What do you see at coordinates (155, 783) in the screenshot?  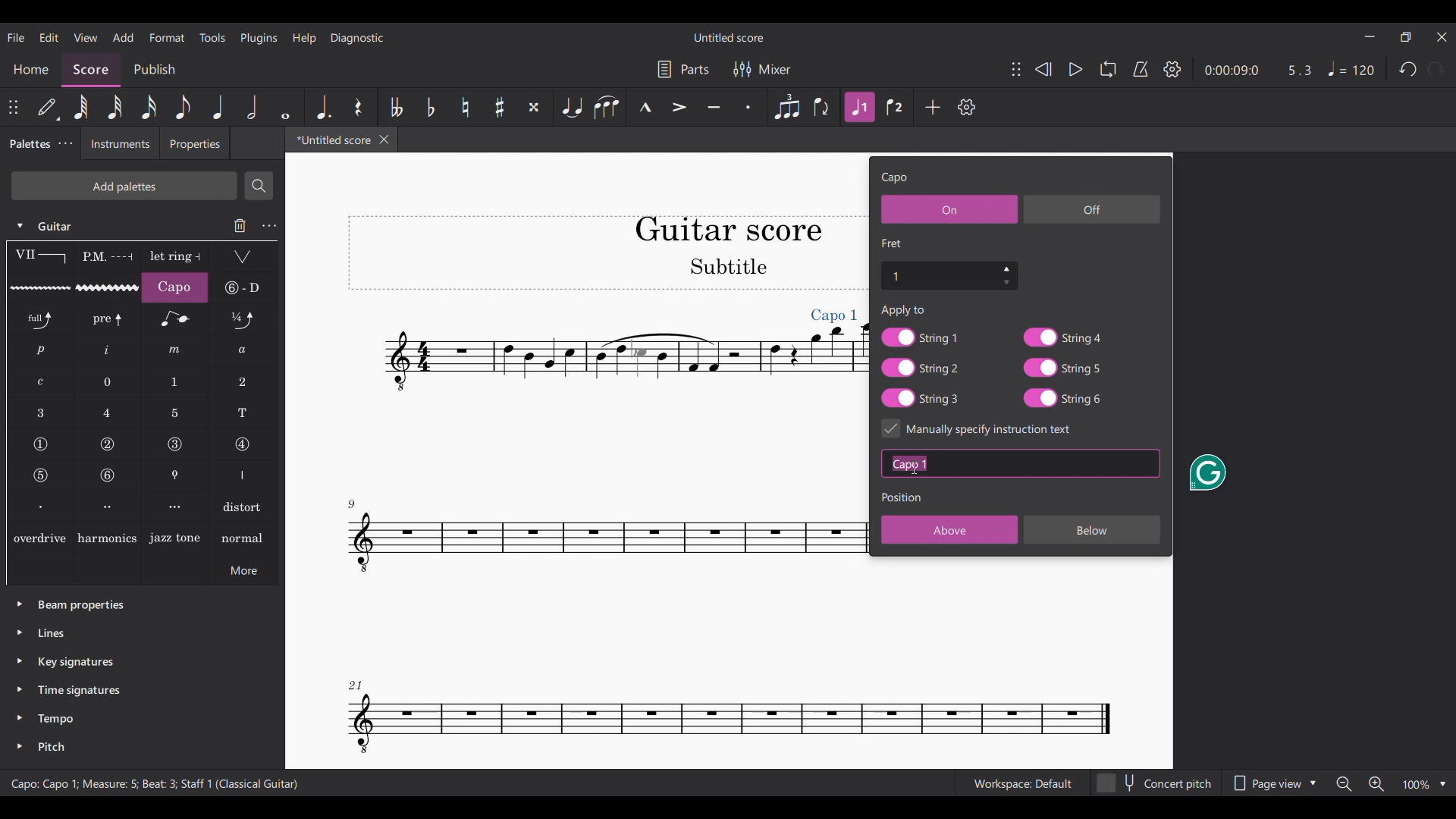 I see `Description of current selection` at bounding box center [155, 783].